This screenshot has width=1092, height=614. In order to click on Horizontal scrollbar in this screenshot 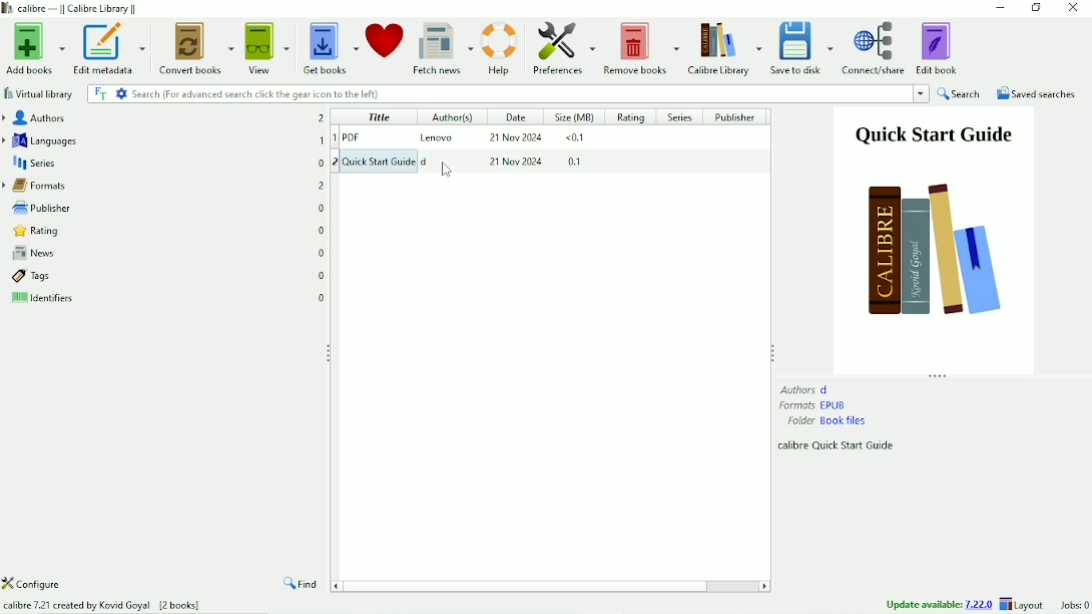, I will do `click(532, 585)`.